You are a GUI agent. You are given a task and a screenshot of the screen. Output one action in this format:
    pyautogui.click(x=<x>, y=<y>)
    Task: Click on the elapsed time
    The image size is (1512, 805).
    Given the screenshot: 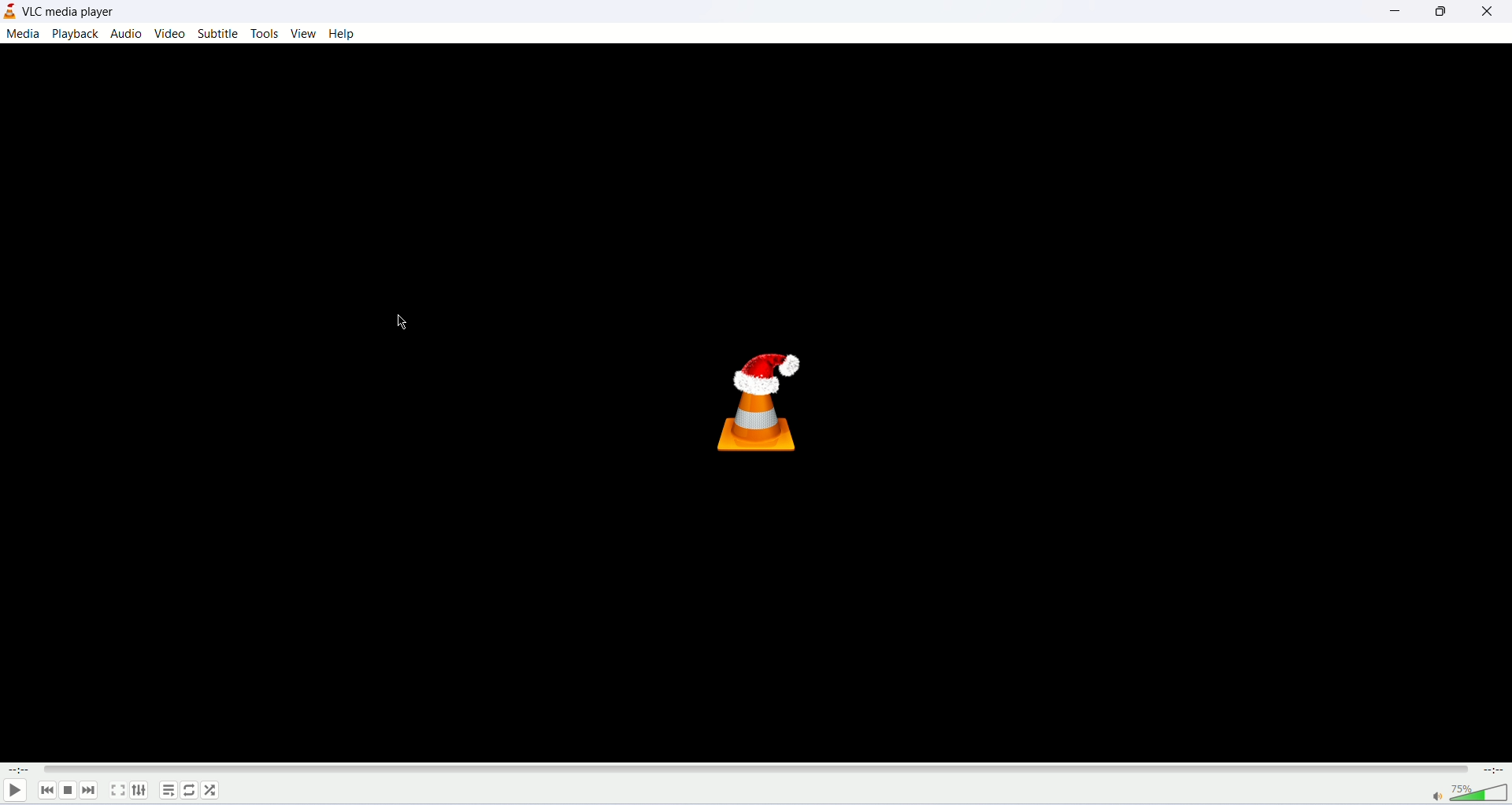 What is the action you would take?
    pyautogui.click(x=19, y=769)
    